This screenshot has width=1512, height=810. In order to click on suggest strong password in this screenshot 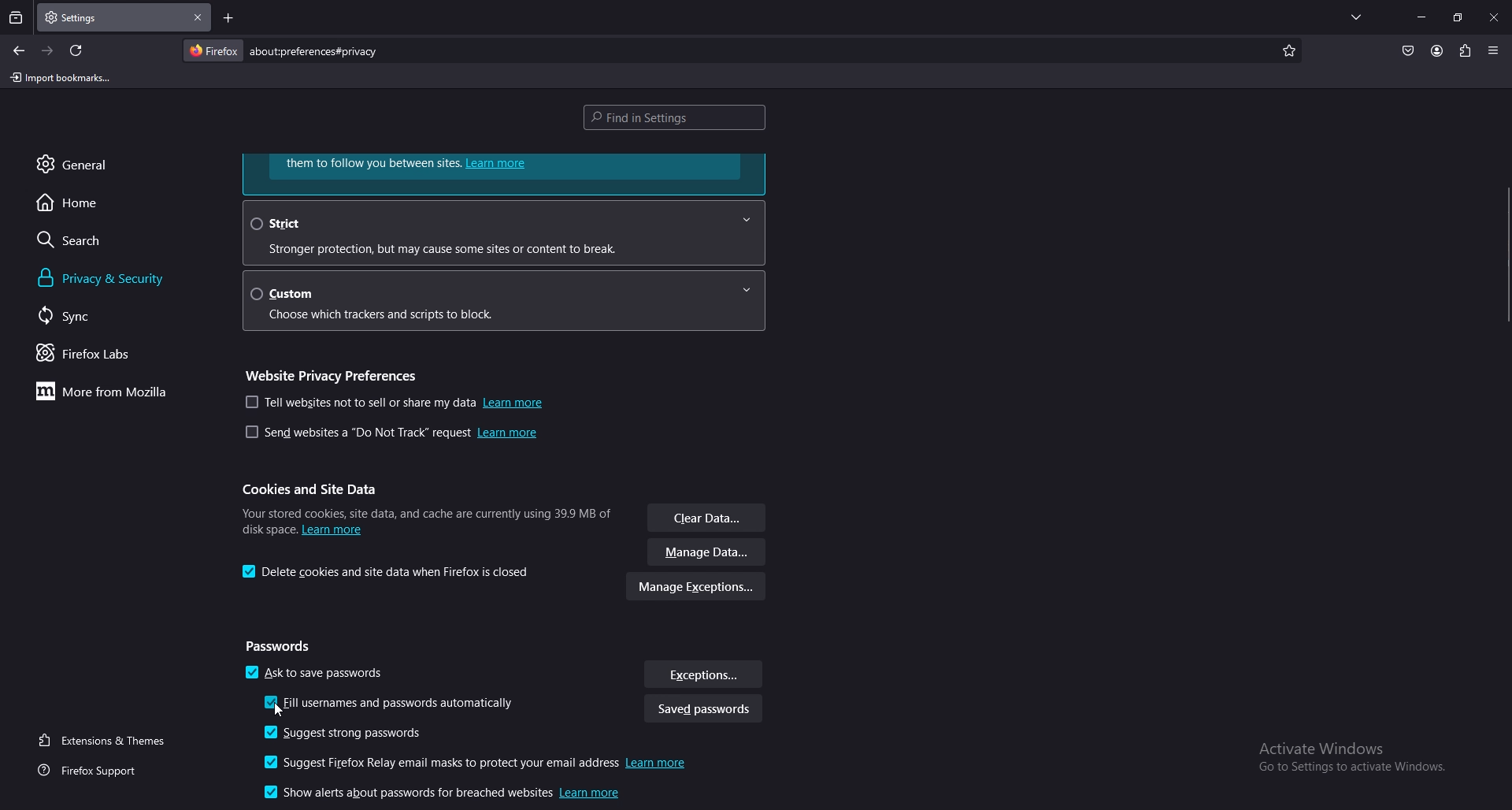, I will do `click(353, 734)`.